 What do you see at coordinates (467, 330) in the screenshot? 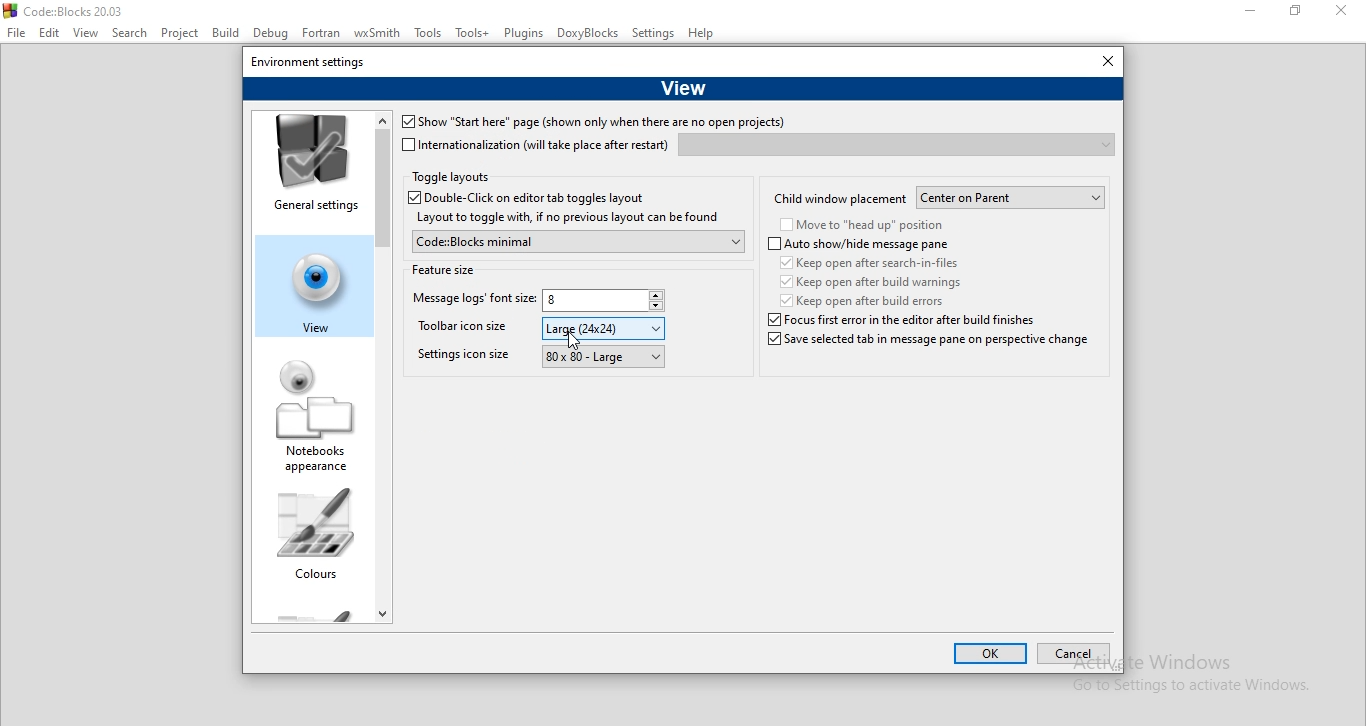
I see `Toolbar icon size: Large (24x24)` at bounding box center [467, 330].